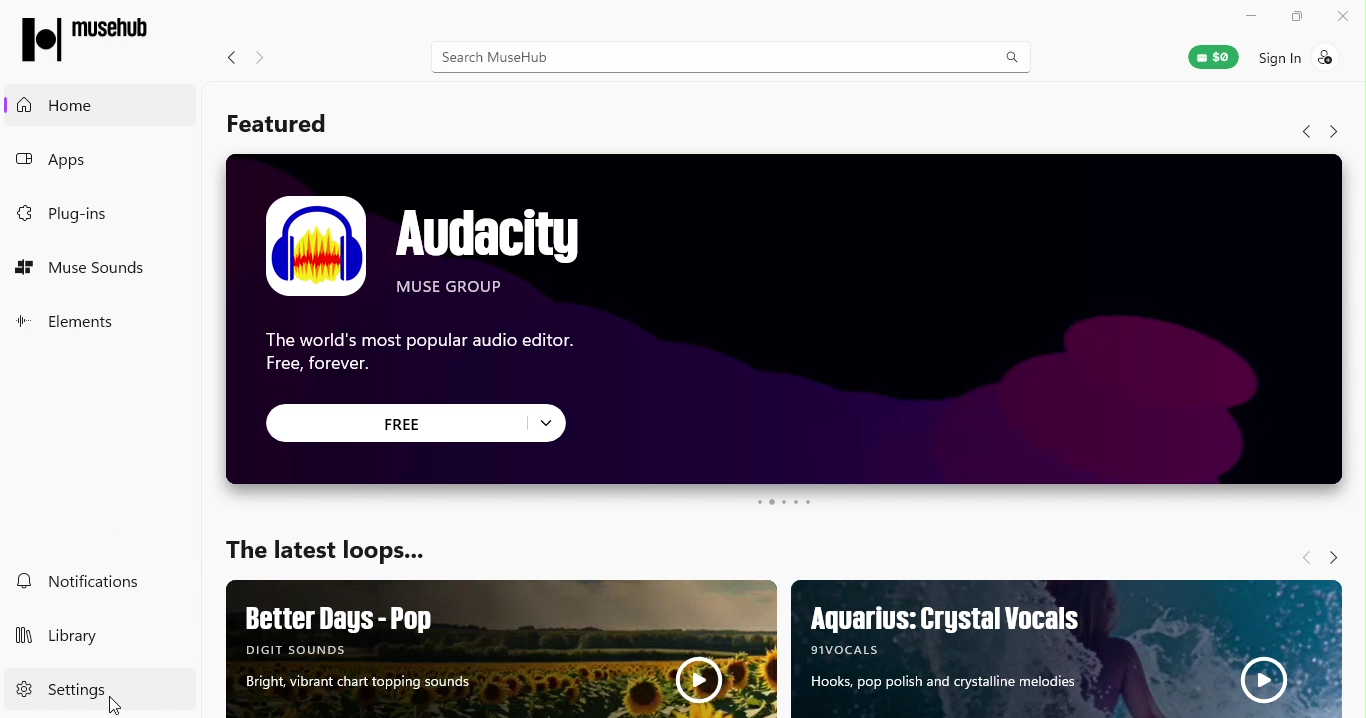 This screenshot has width=1366, height=718. What do you see at coordinates (498, 649) in the screenshot?
I see `Better days-pop ad` at bounding box center [498, 649].